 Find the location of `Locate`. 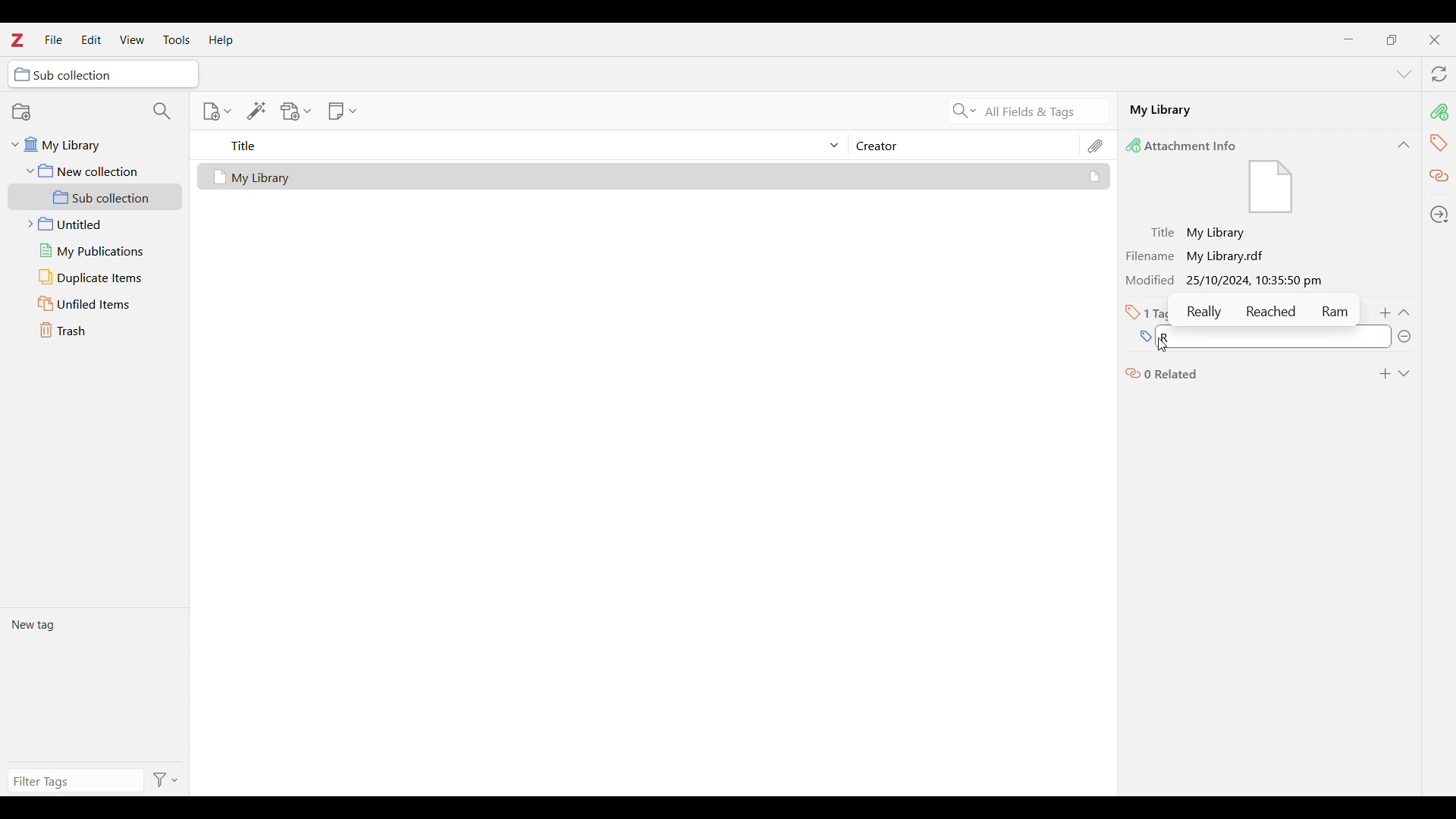

Locate is located at coordinates (1439, 215).